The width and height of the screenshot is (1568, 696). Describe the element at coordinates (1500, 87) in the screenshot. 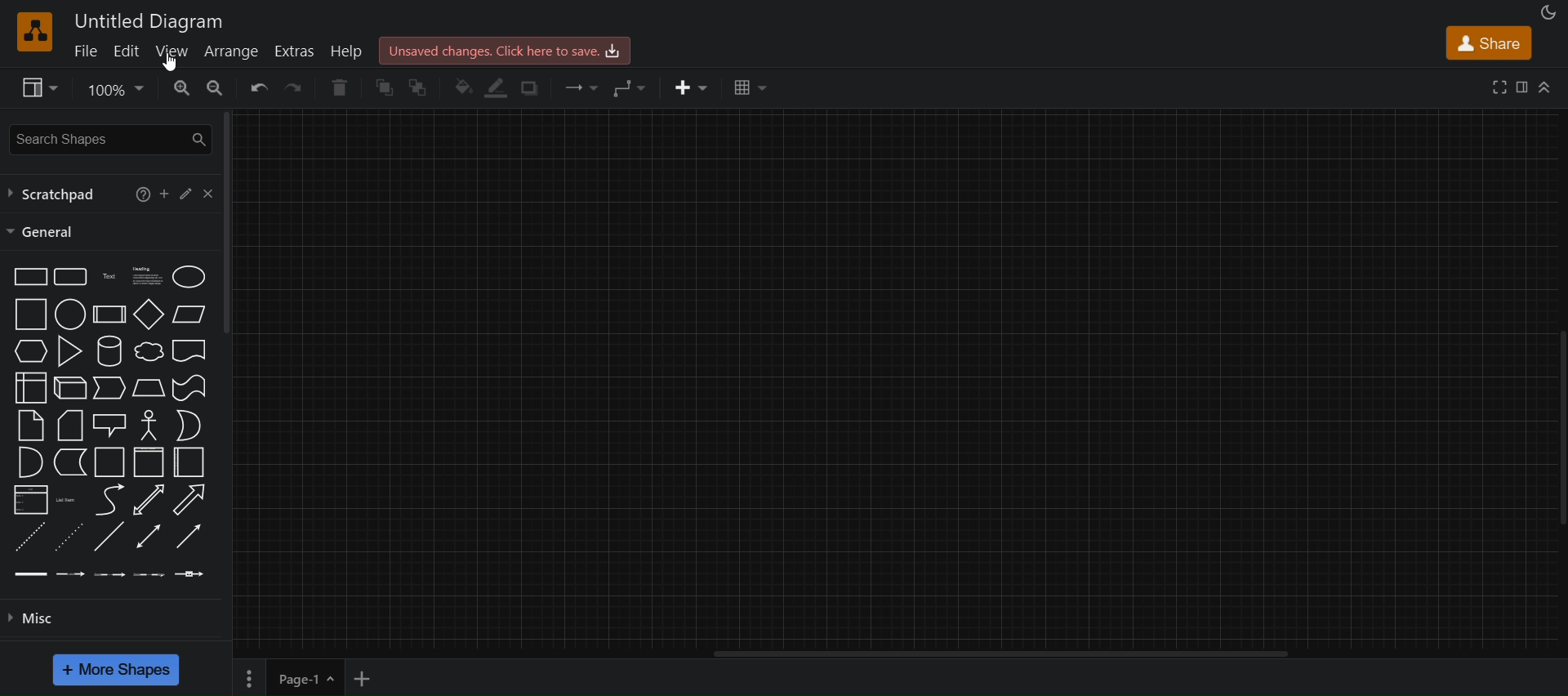

I see `fullscreen` at that location.